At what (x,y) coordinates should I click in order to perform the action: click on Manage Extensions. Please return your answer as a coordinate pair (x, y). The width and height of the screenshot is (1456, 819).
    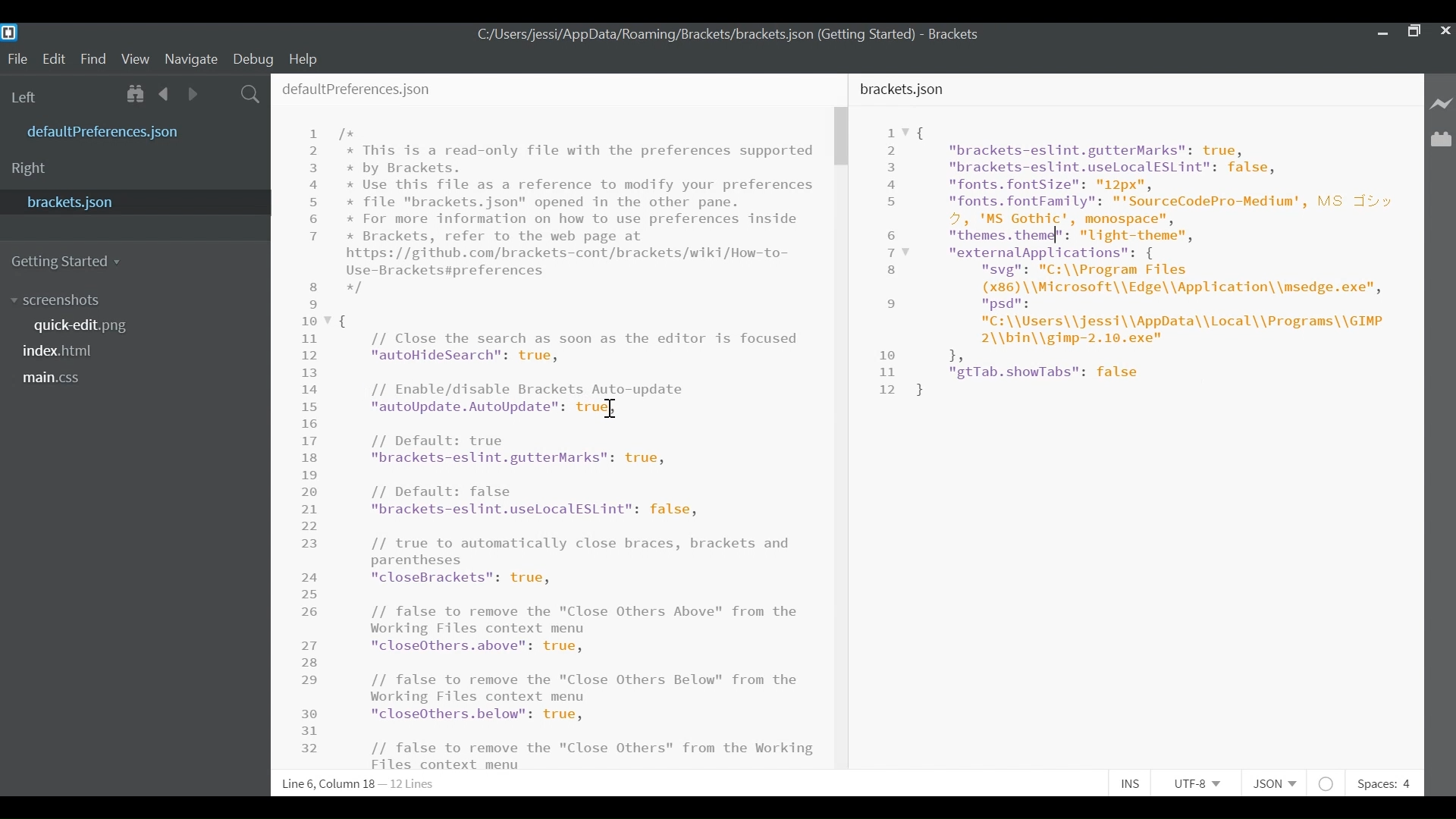
    Looking at the image, I should click on (1441, 140).